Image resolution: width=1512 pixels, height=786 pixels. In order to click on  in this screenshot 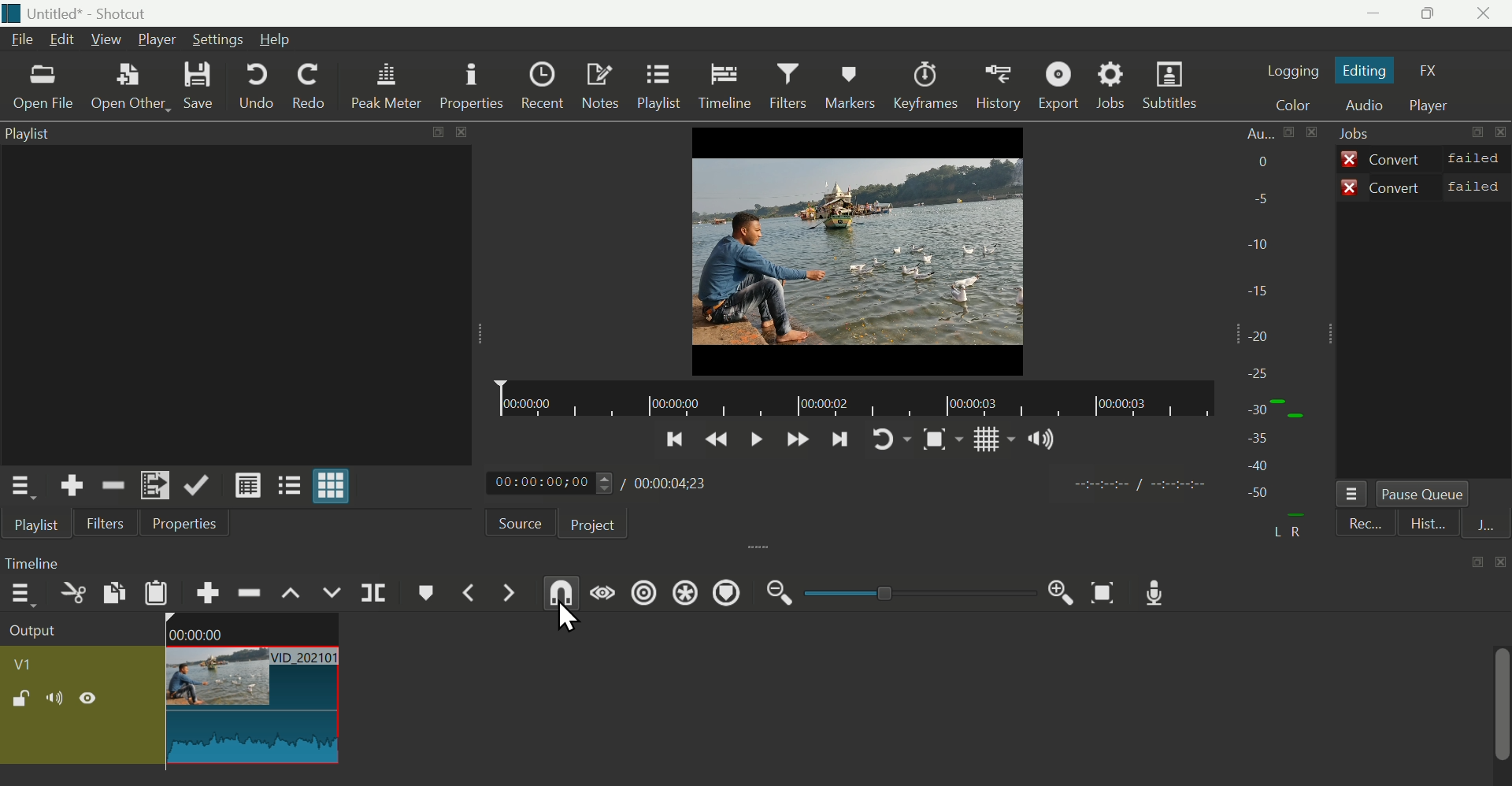, I will do `click(1423, 529)`.